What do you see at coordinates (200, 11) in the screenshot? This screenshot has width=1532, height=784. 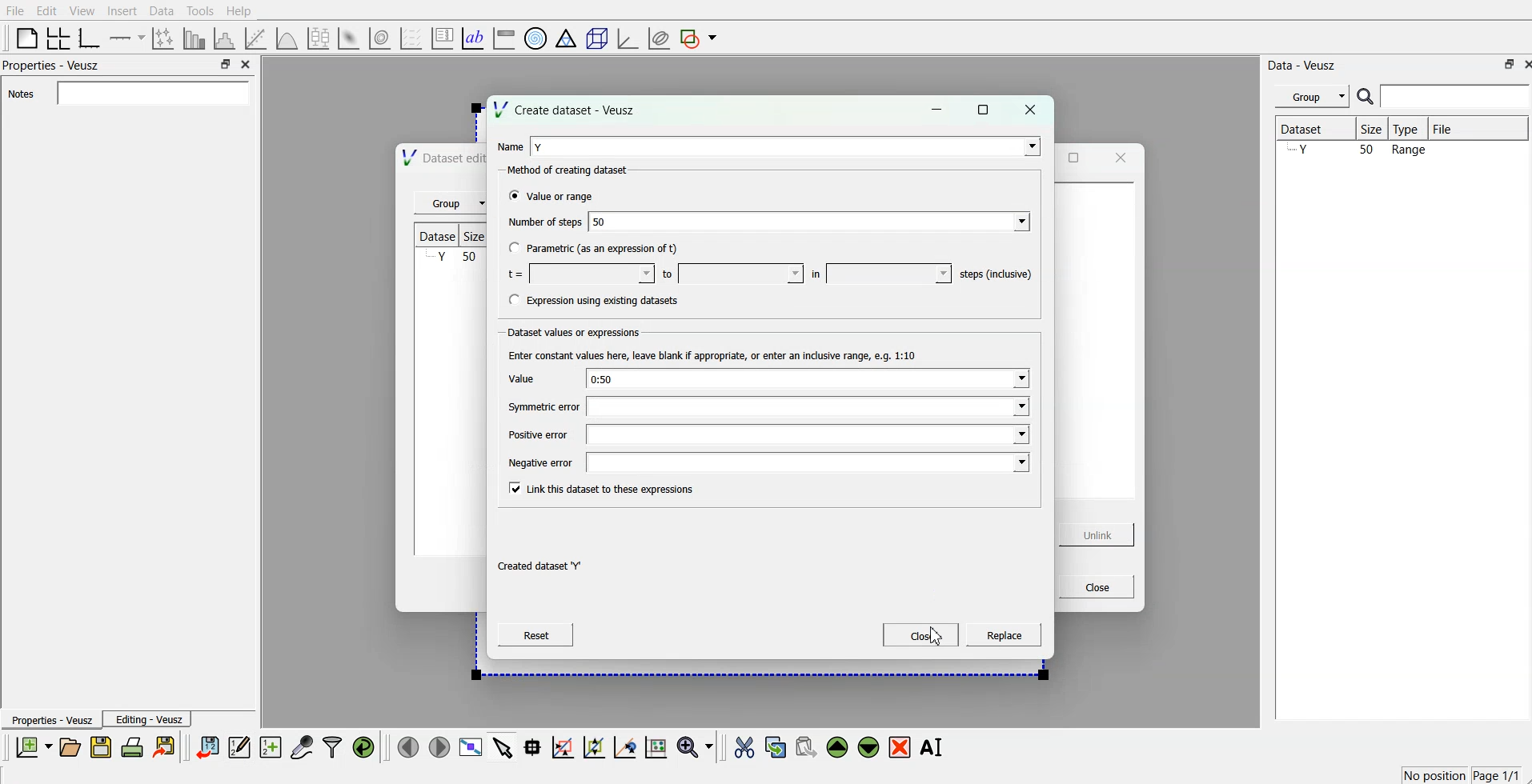 I see `Tools` at bounding box center [200, 11].